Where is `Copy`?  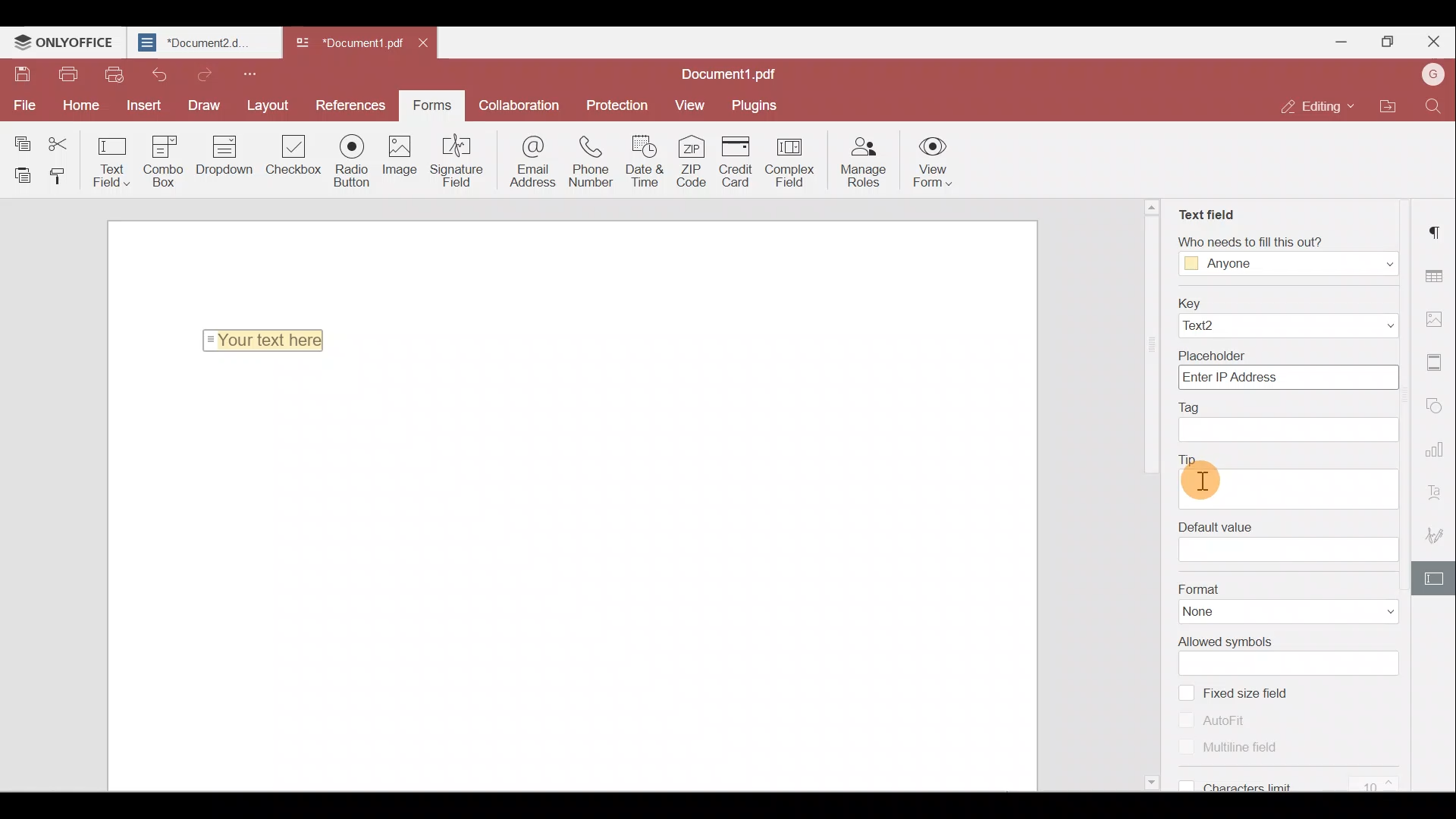
Copy is located at coordinates (21, 138).